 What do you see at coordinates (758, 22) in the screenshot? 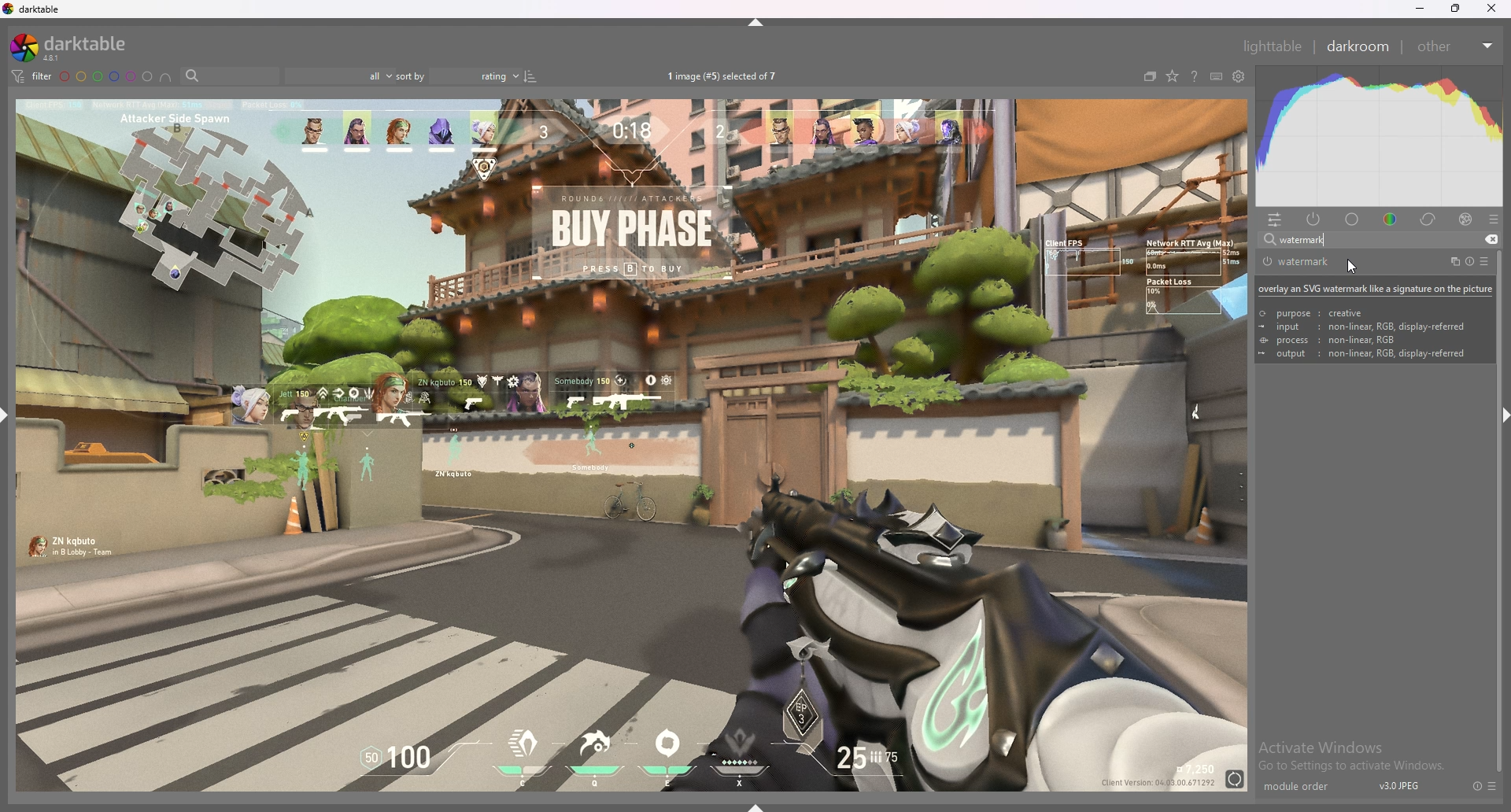
I see `hide` at bounding box center [758, 22].